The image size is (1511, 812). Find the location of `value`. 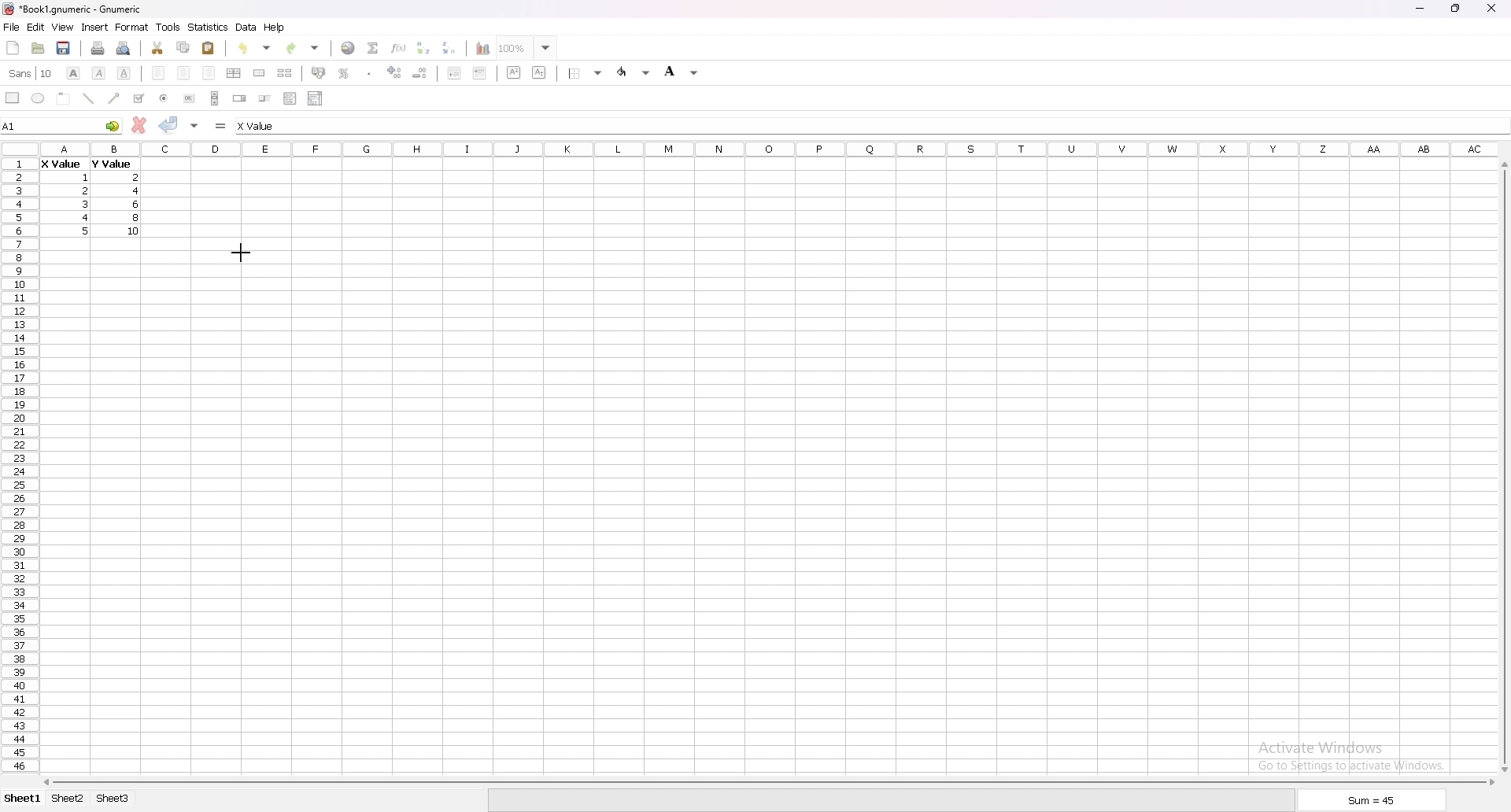

value is located at coordinates (87, 217).